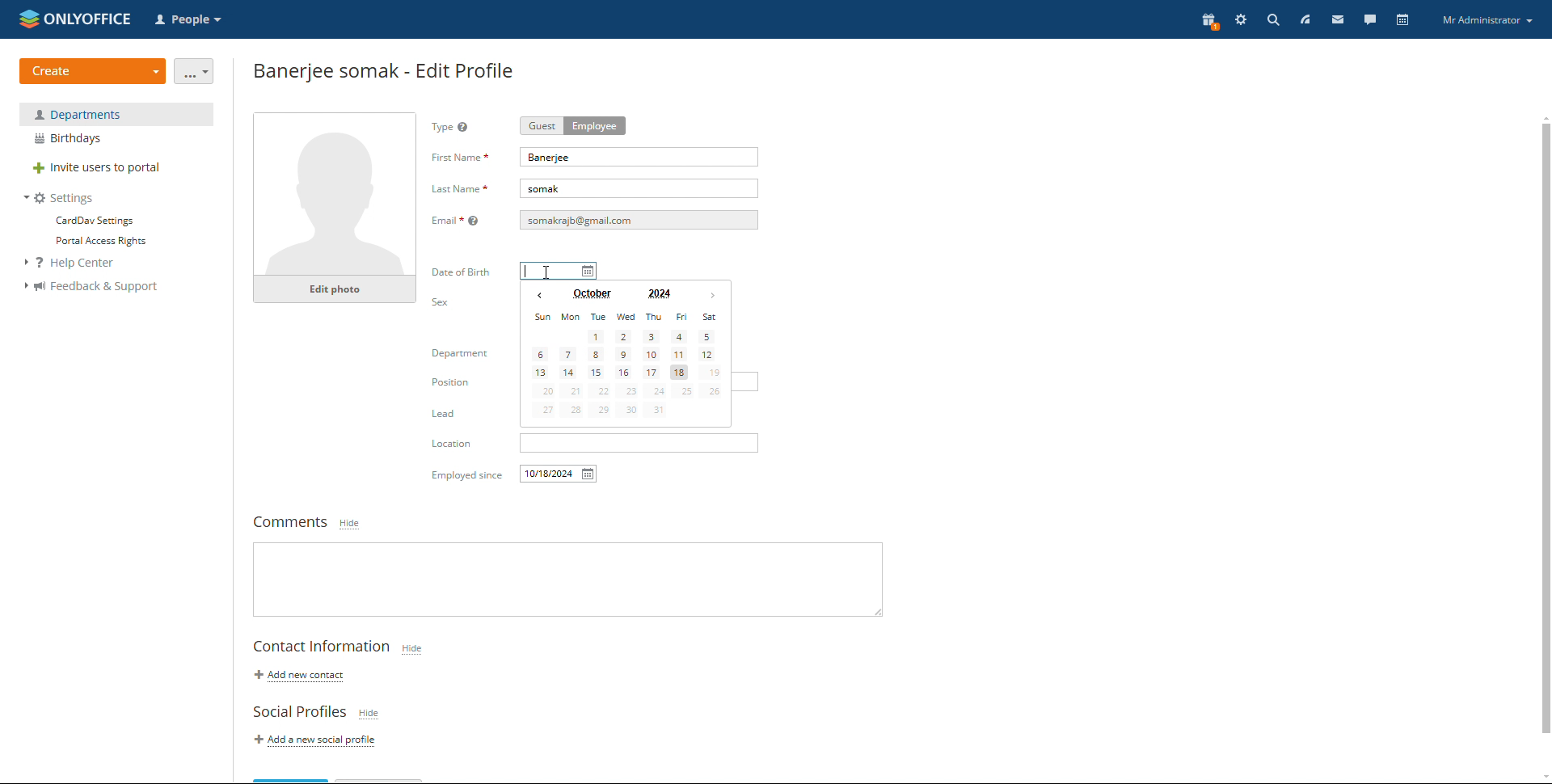 This screenshot has height=784, width=1552. Describe the element at coordinates (460, 382) in the screenshot. I see `Position` at that location.